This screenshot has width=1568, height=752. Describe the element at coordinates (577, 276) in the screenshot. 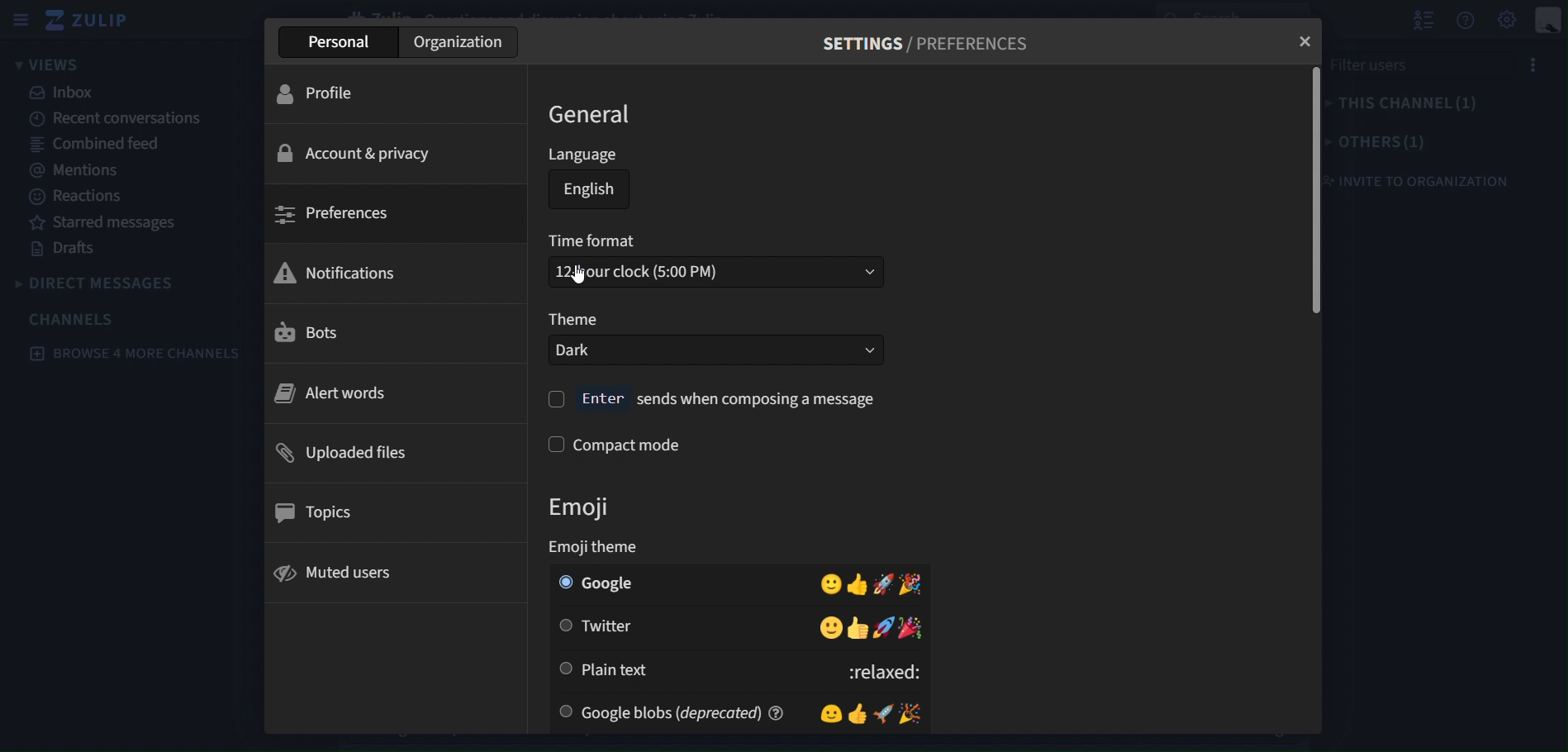

I see `cursor` at that location.